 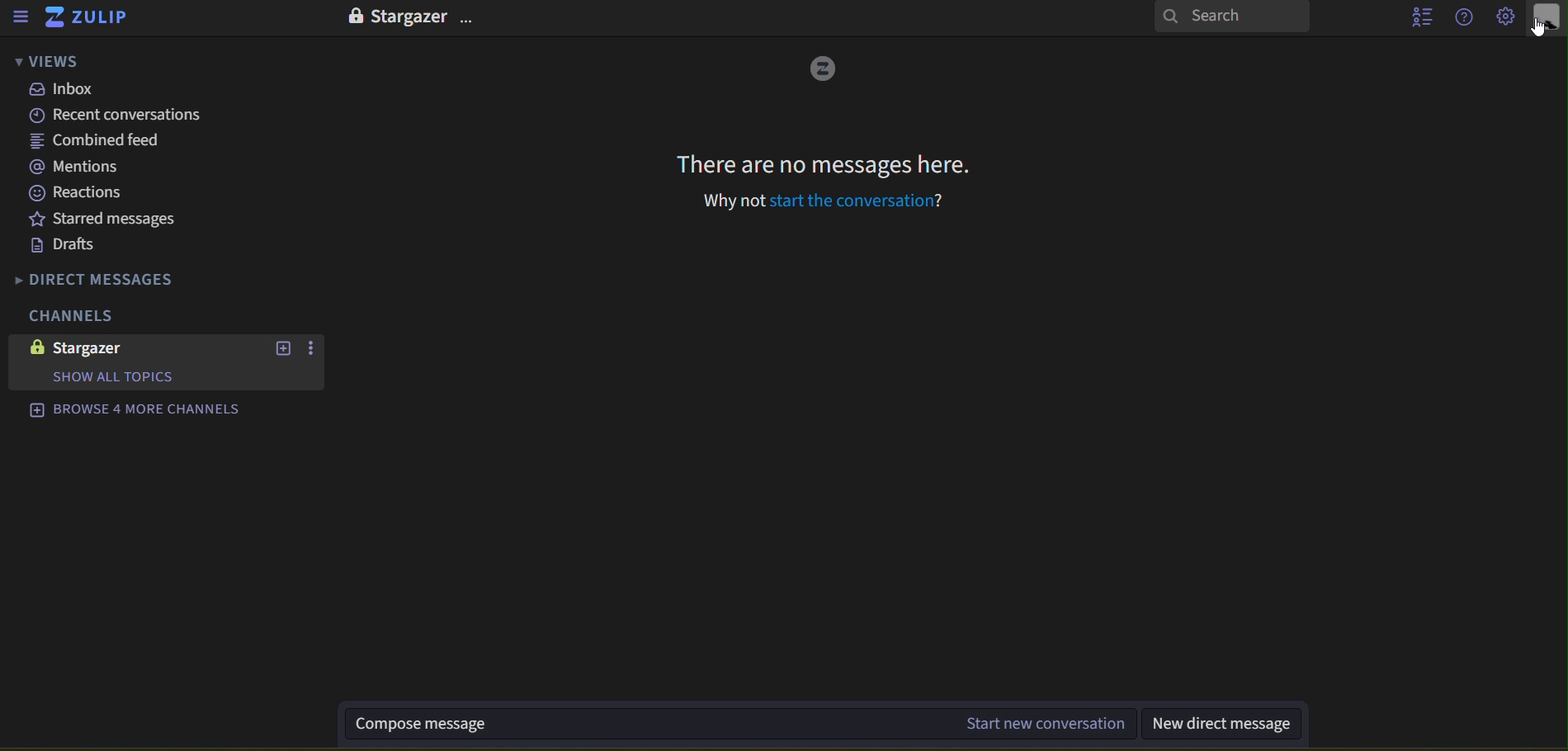 What do you see at coordinates (1230, 18) in the screenshot?
I see `search` at bounding box center [1230, 18].